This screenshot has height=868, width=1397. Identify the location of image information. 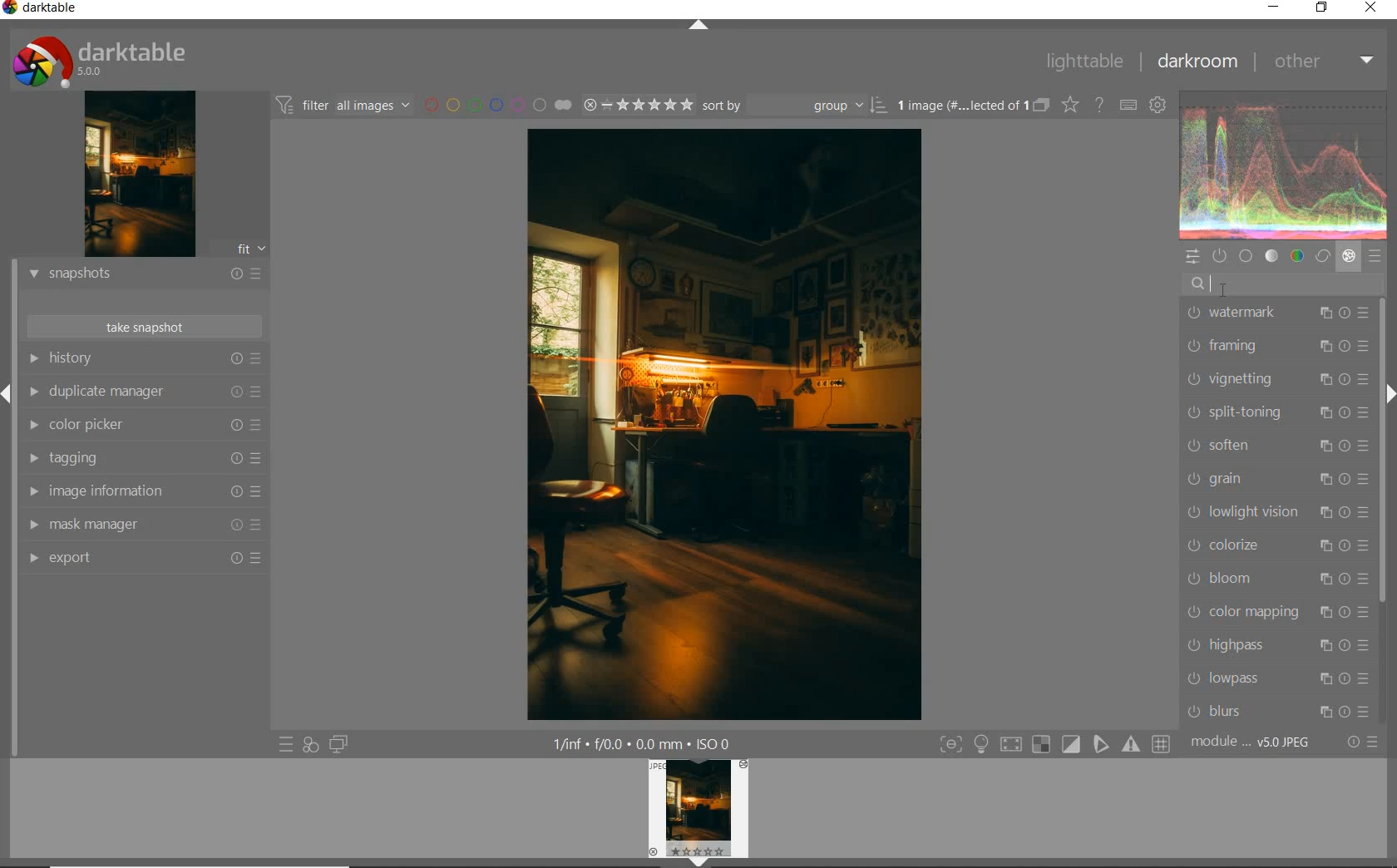
(142, 491).